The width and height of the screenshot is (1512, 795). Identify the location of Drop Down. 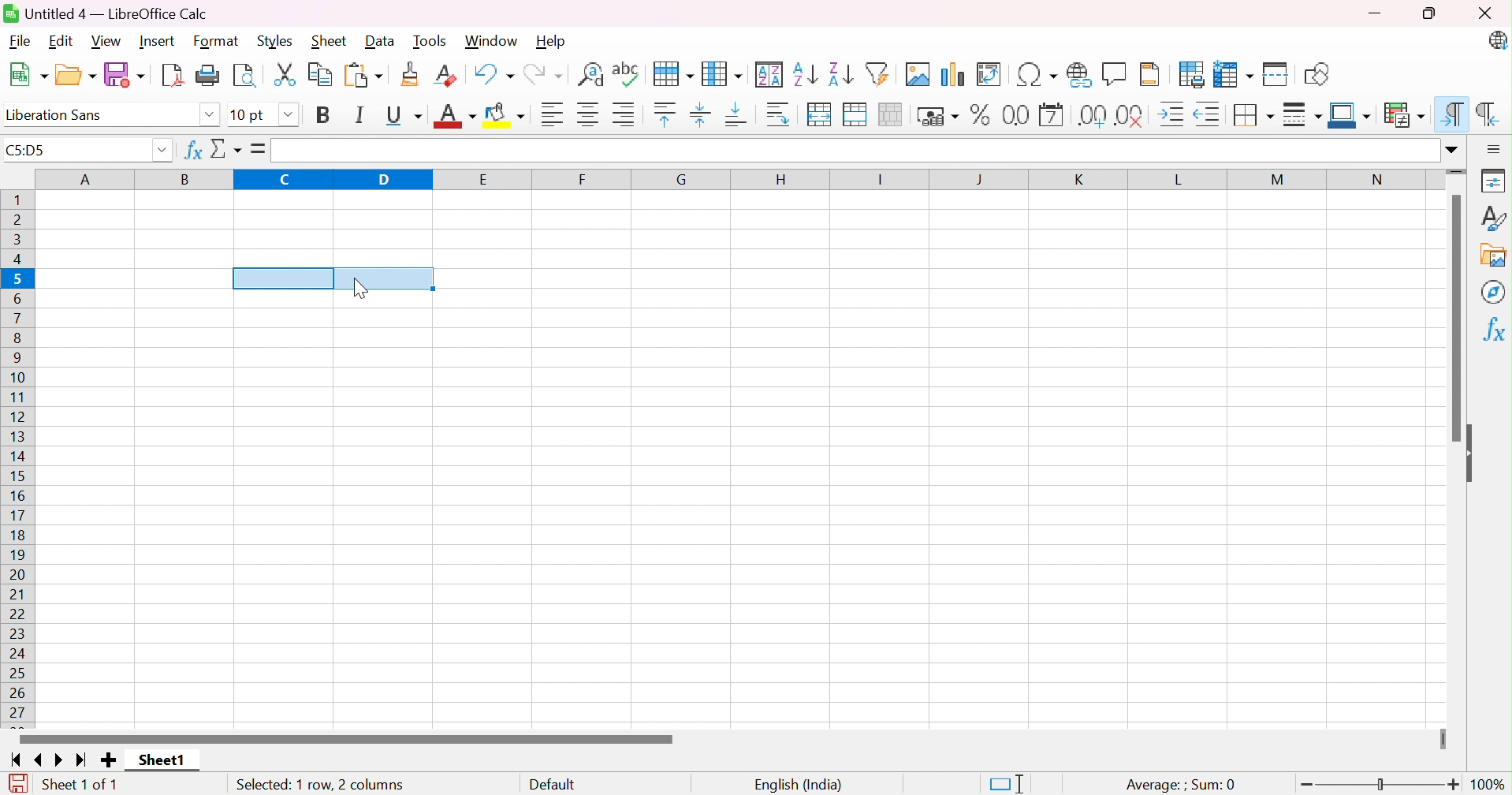
(208, 114).